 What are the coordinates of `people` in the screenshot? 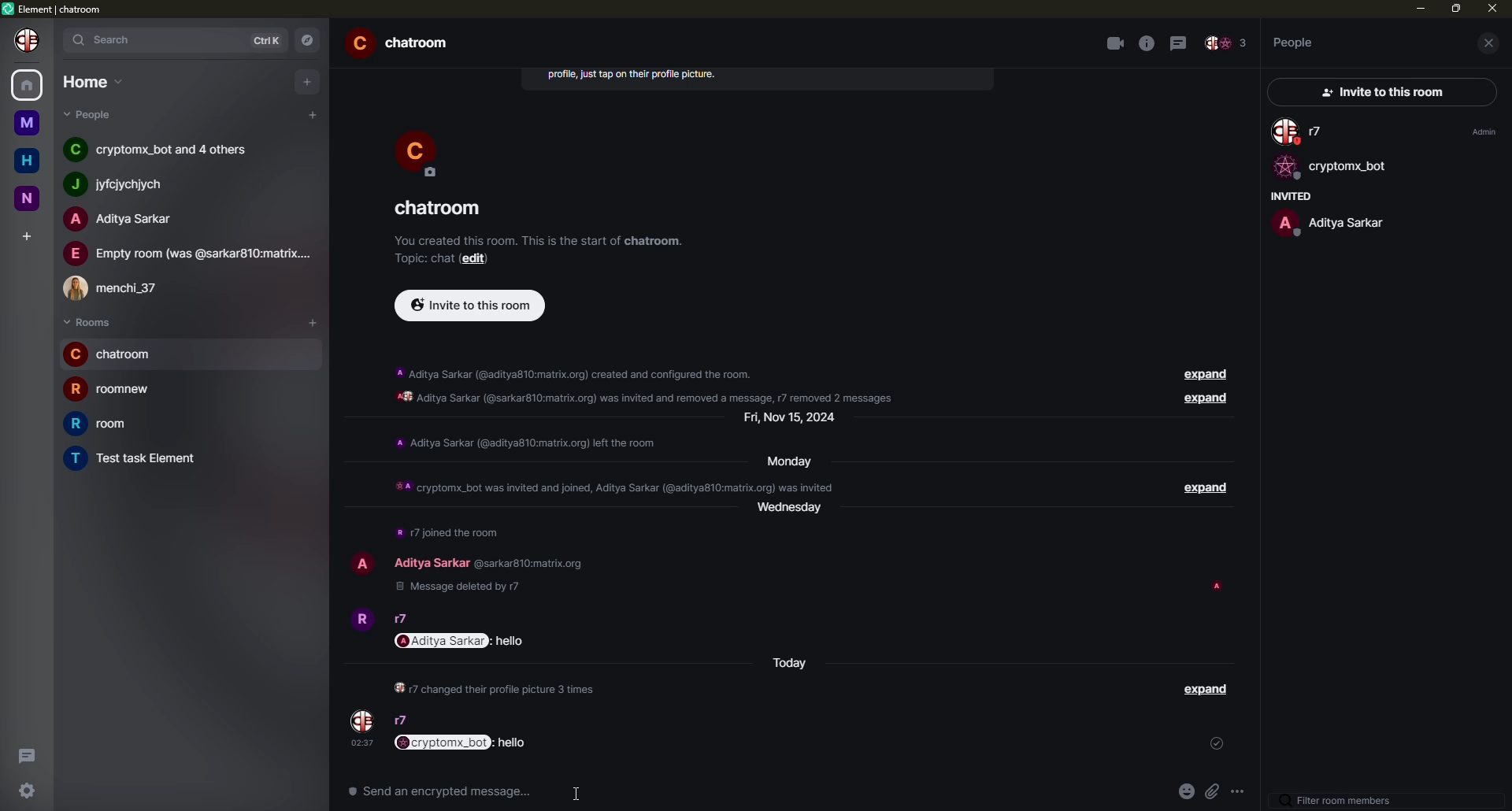 It's located at (120, 285).